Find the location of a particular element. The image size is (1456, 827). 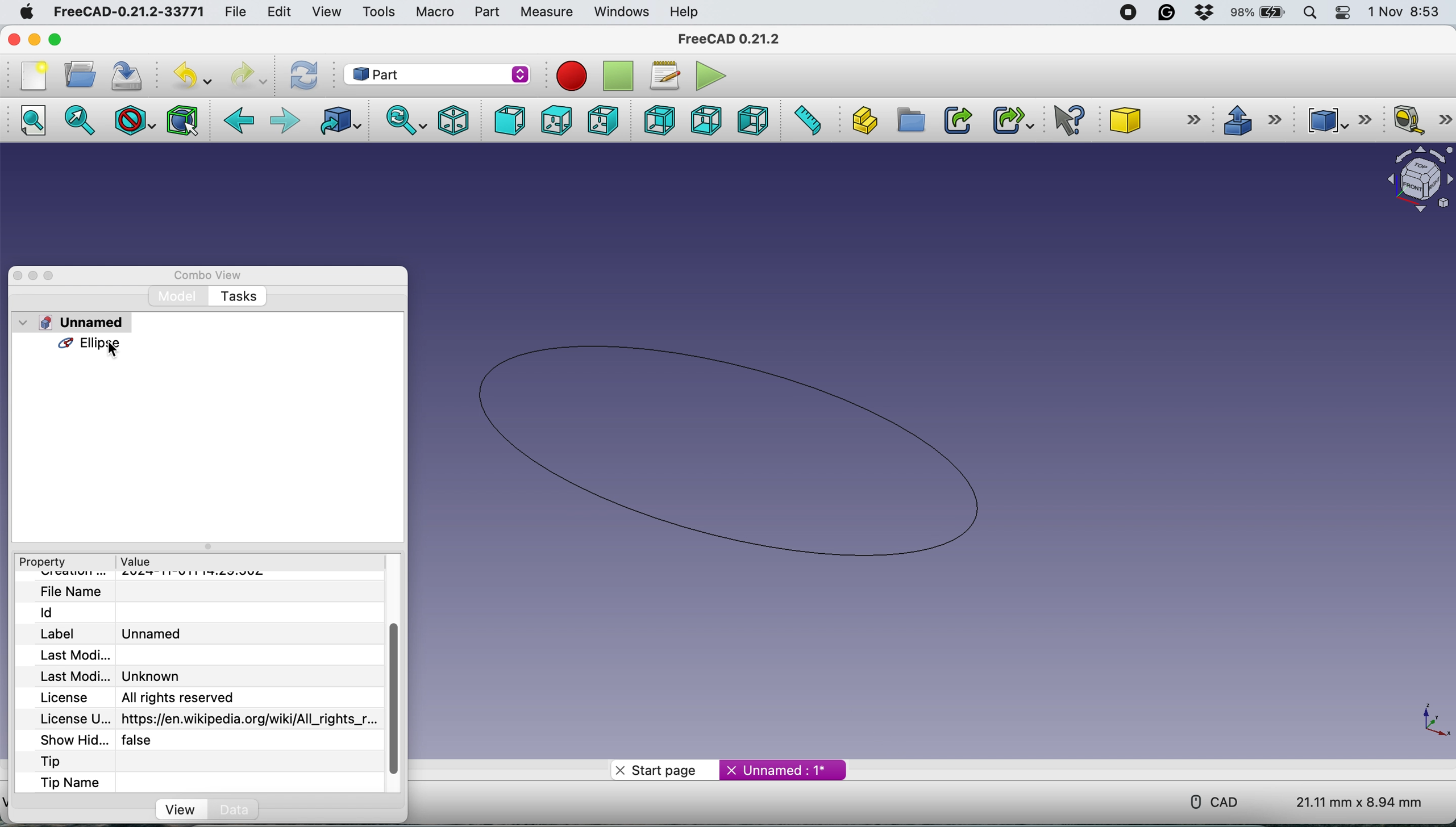

macros is located at coordinates (664, 74).